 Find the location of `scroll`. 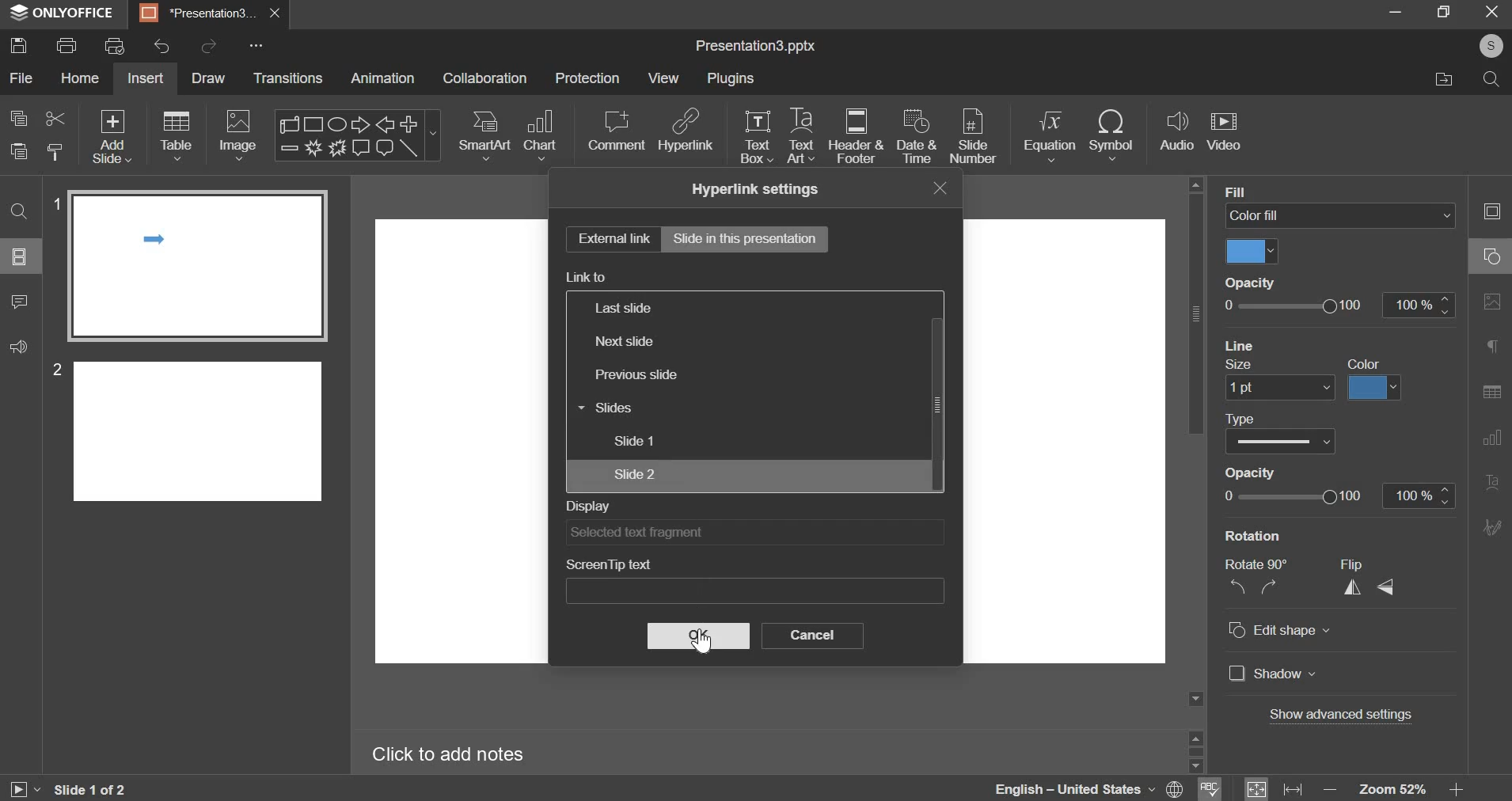

scroll is located at coordinates (291, 123).